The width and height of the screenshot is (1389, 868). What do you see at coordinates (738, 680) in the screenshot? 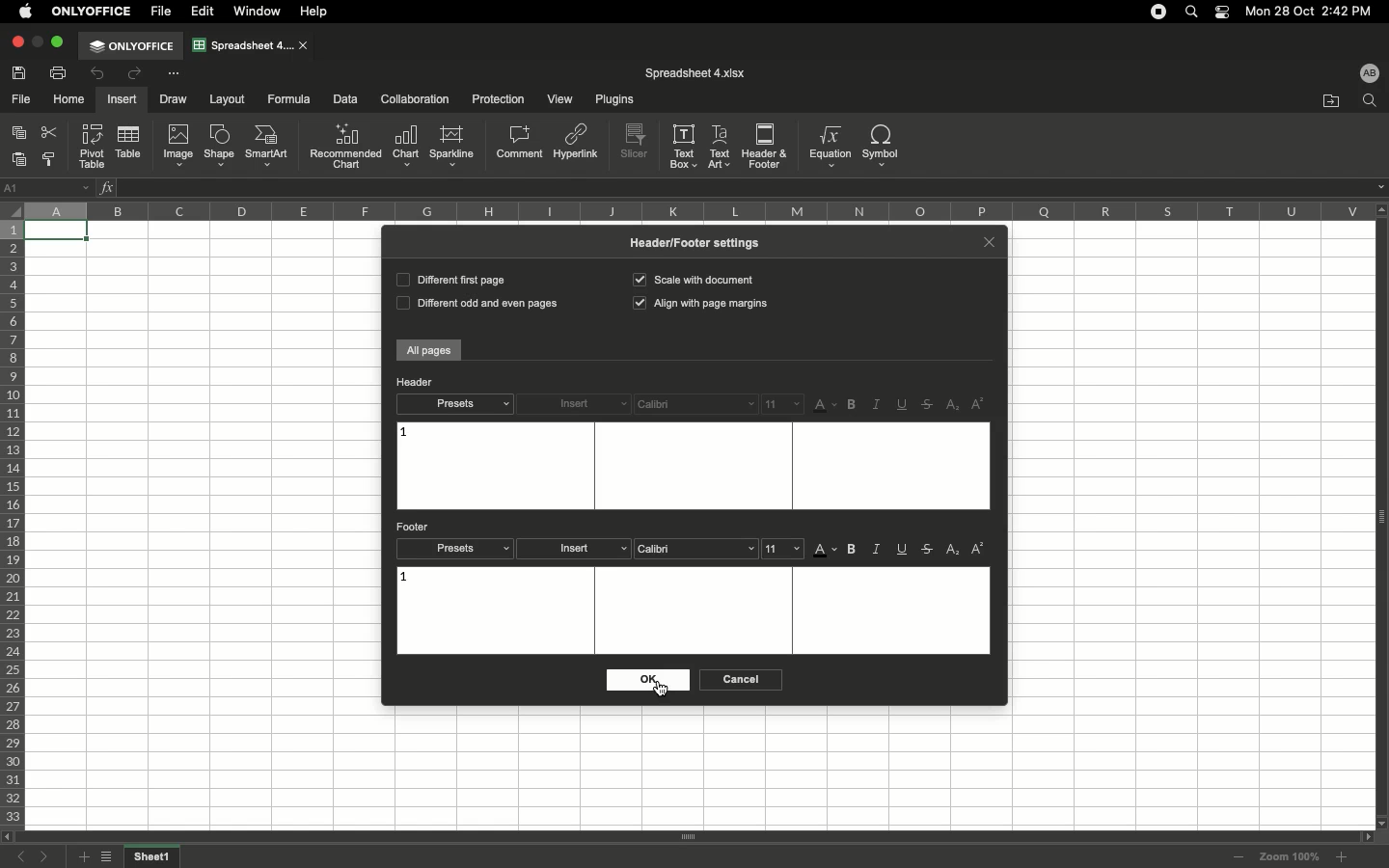
I see `Cancel` at bounding box center [738, 680].